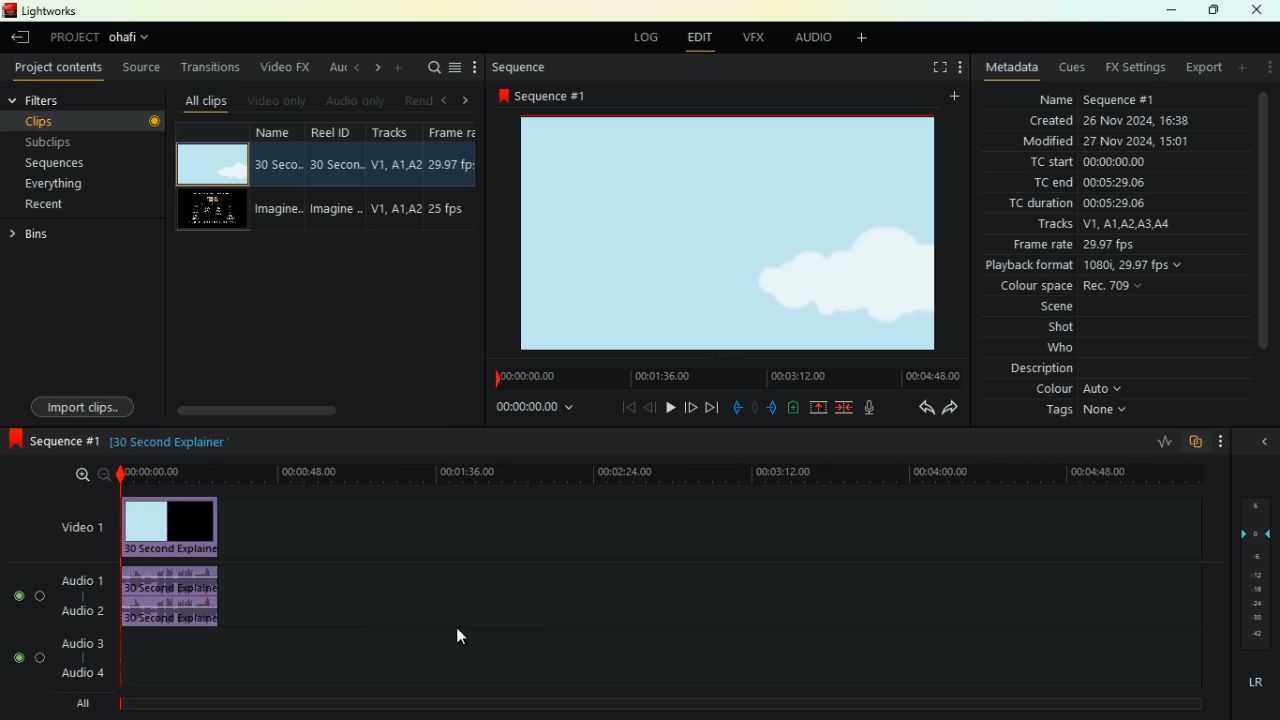 This screenshot has width=1280, height=720. Describe the element at coordinates (1201, 70) in the screenshot. I see `export` at that location.